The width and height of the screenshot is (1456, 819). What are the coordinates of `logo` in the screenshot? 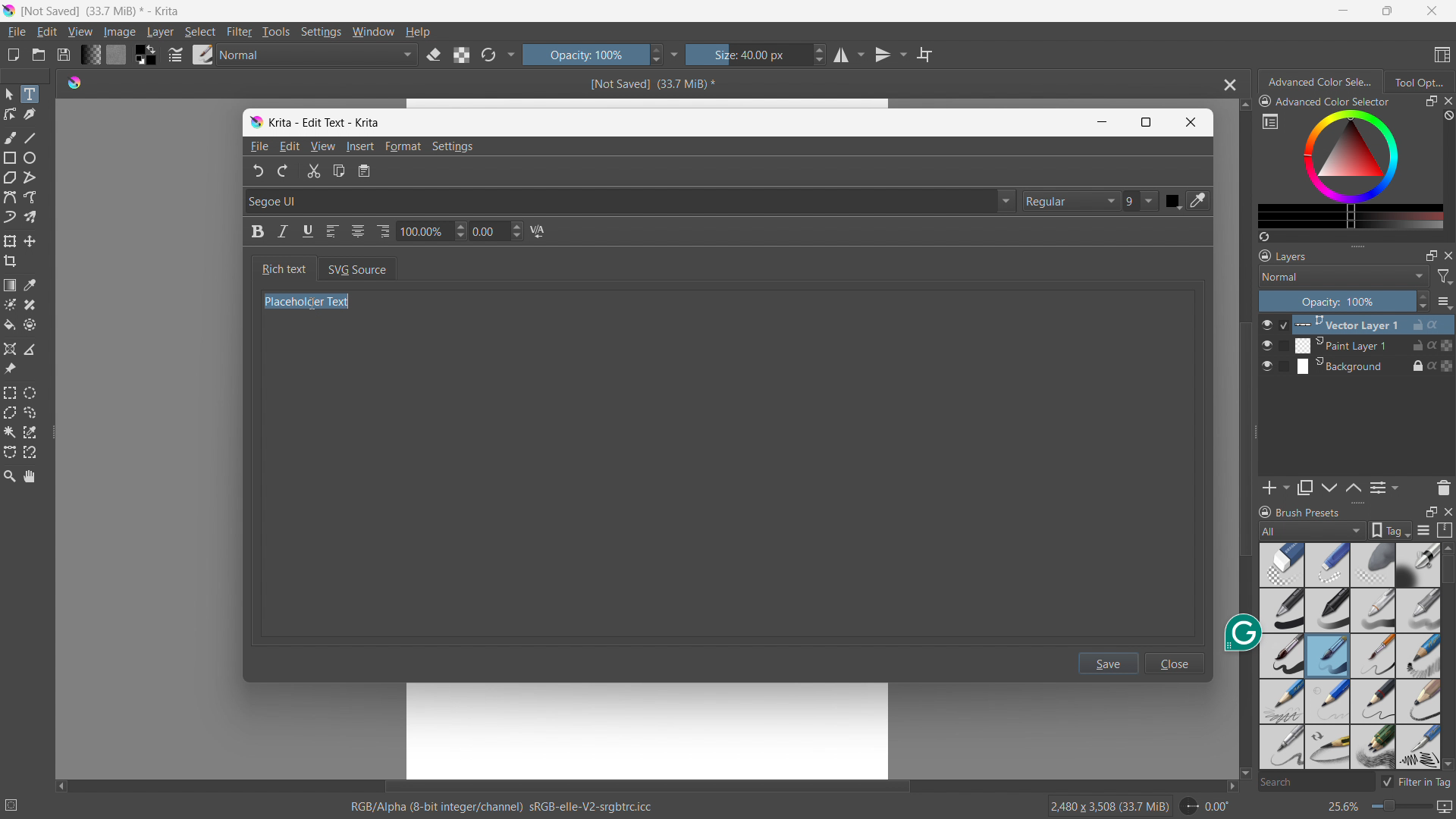 It's located at (256, 123).